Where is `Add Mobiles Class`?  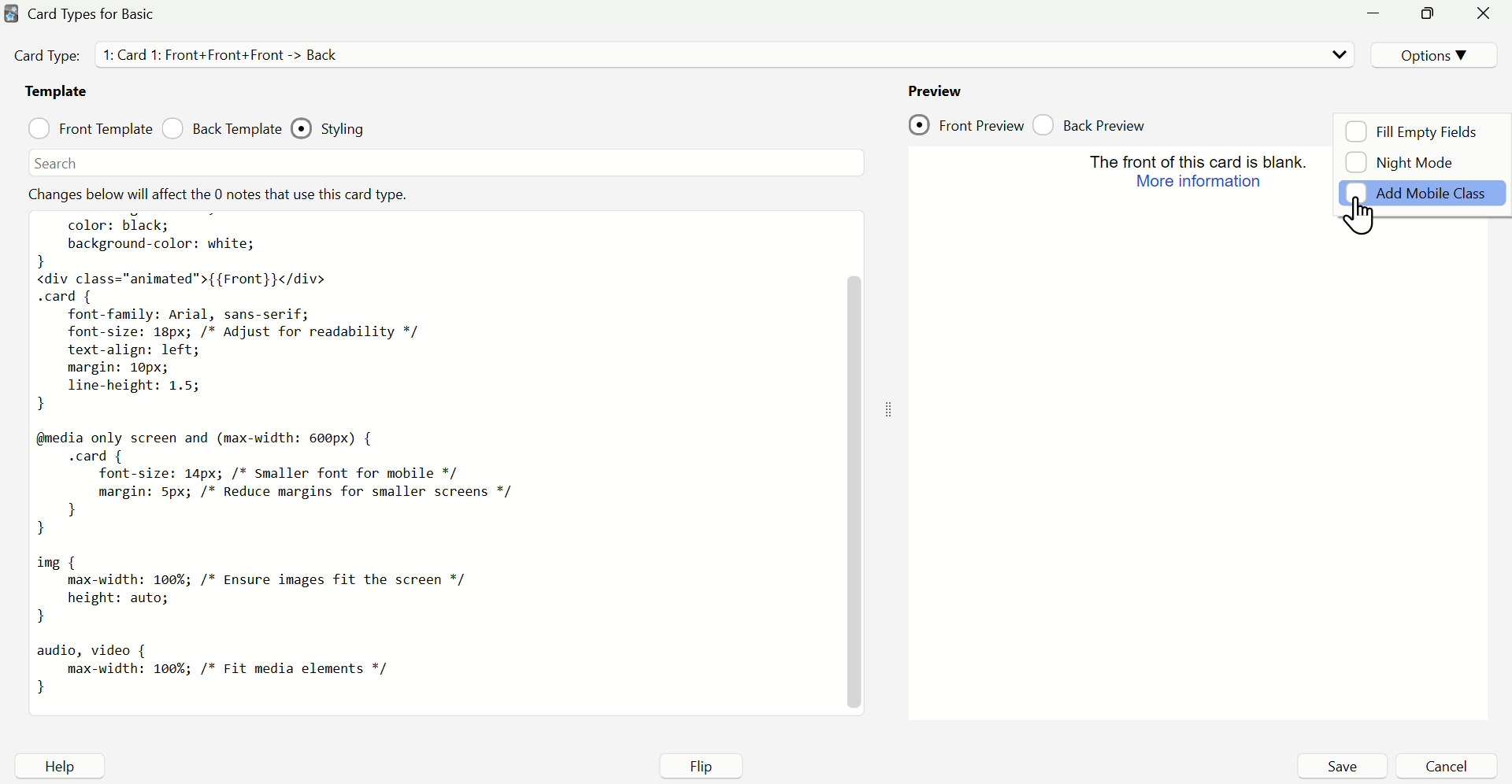
Add Mobiles Class is located at coordinates (1425, 197).